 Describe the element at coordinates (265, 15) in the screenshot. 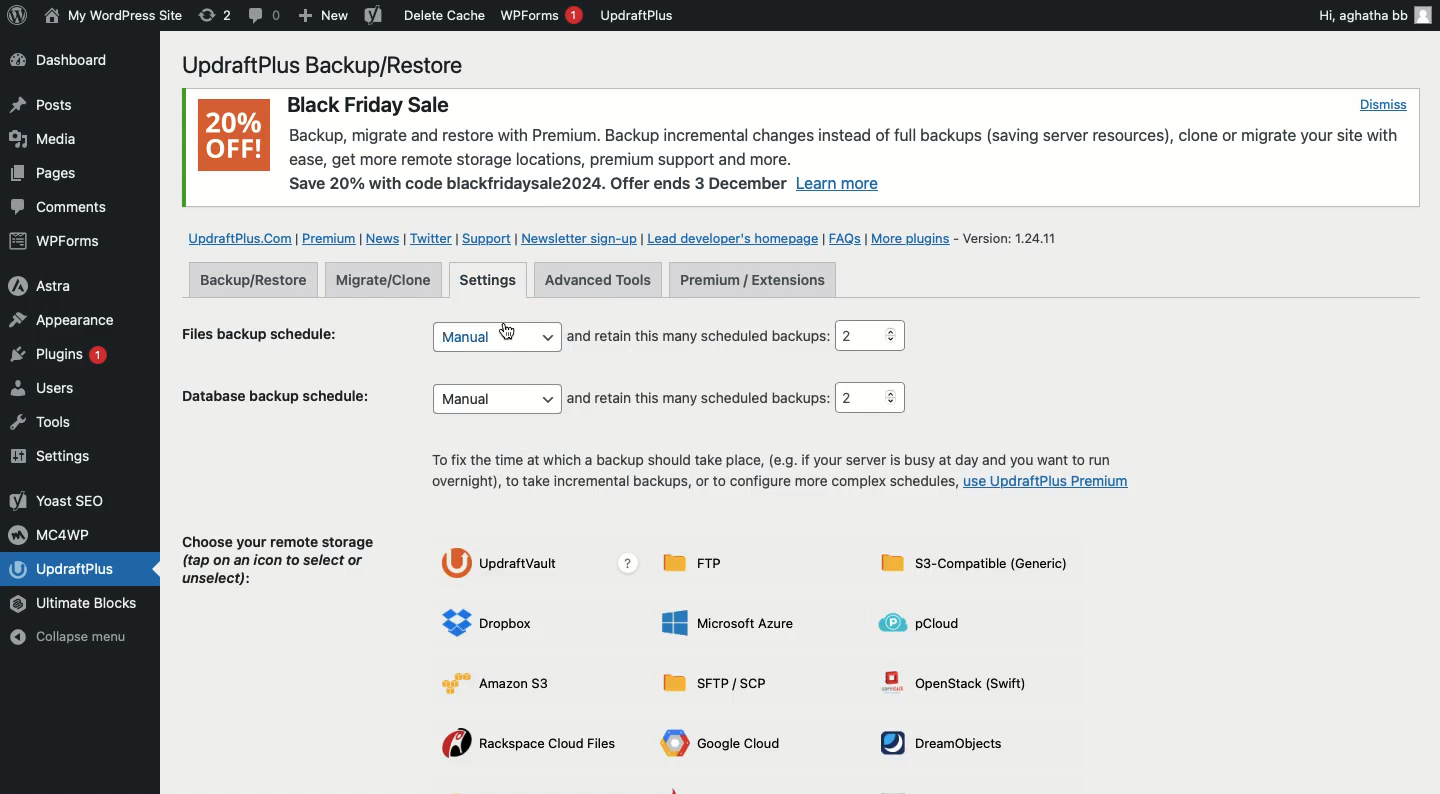

I see `Comment 0` at that location.